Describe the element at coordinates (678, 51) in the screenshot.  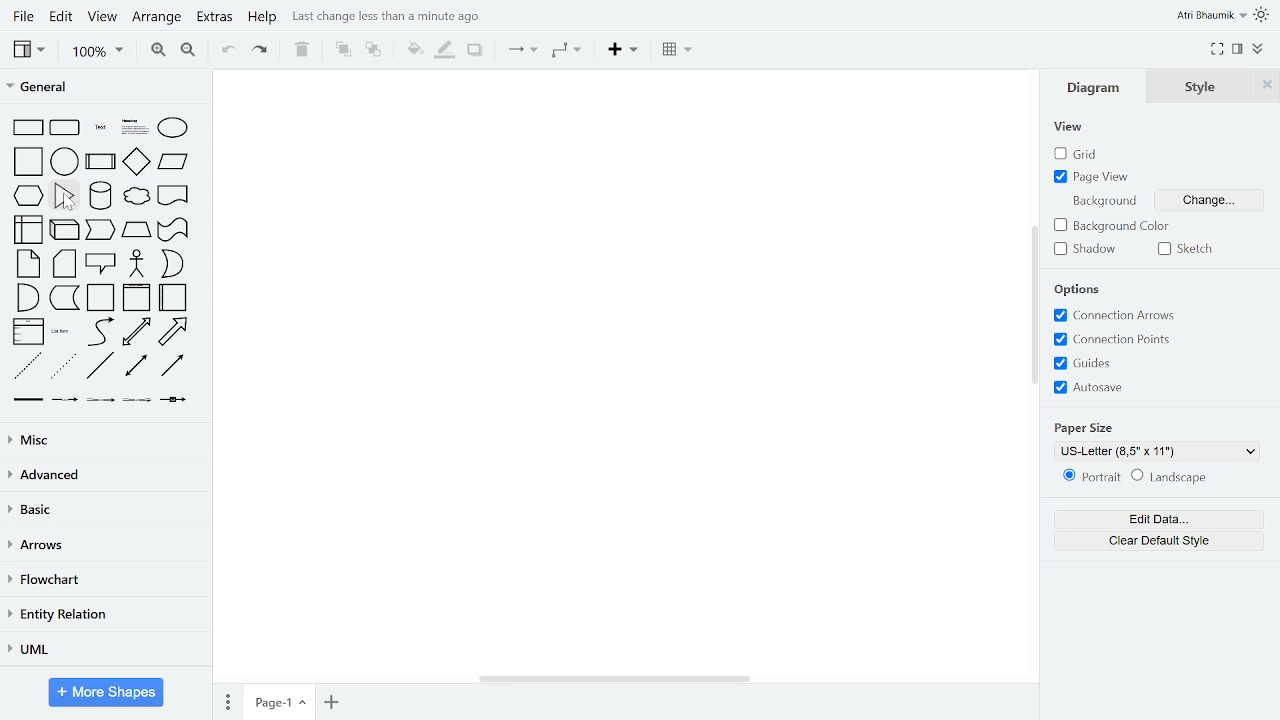
I see `table` at that location.